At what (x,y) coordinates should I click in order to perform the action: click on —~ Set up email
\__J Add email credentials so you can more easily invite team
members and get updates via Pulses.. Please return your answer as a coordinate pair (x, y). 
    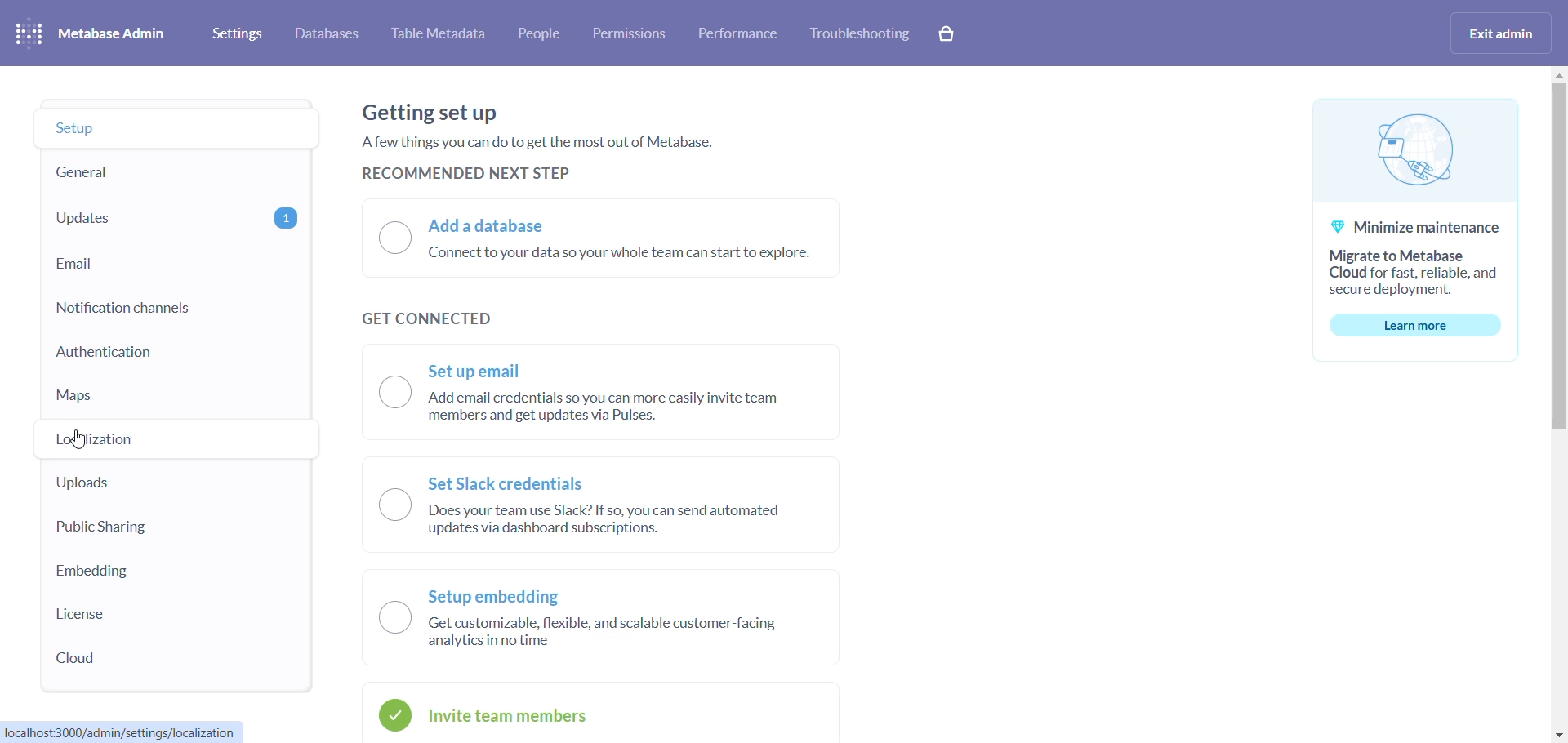
    Looking at the image, I should click on (585, 394).